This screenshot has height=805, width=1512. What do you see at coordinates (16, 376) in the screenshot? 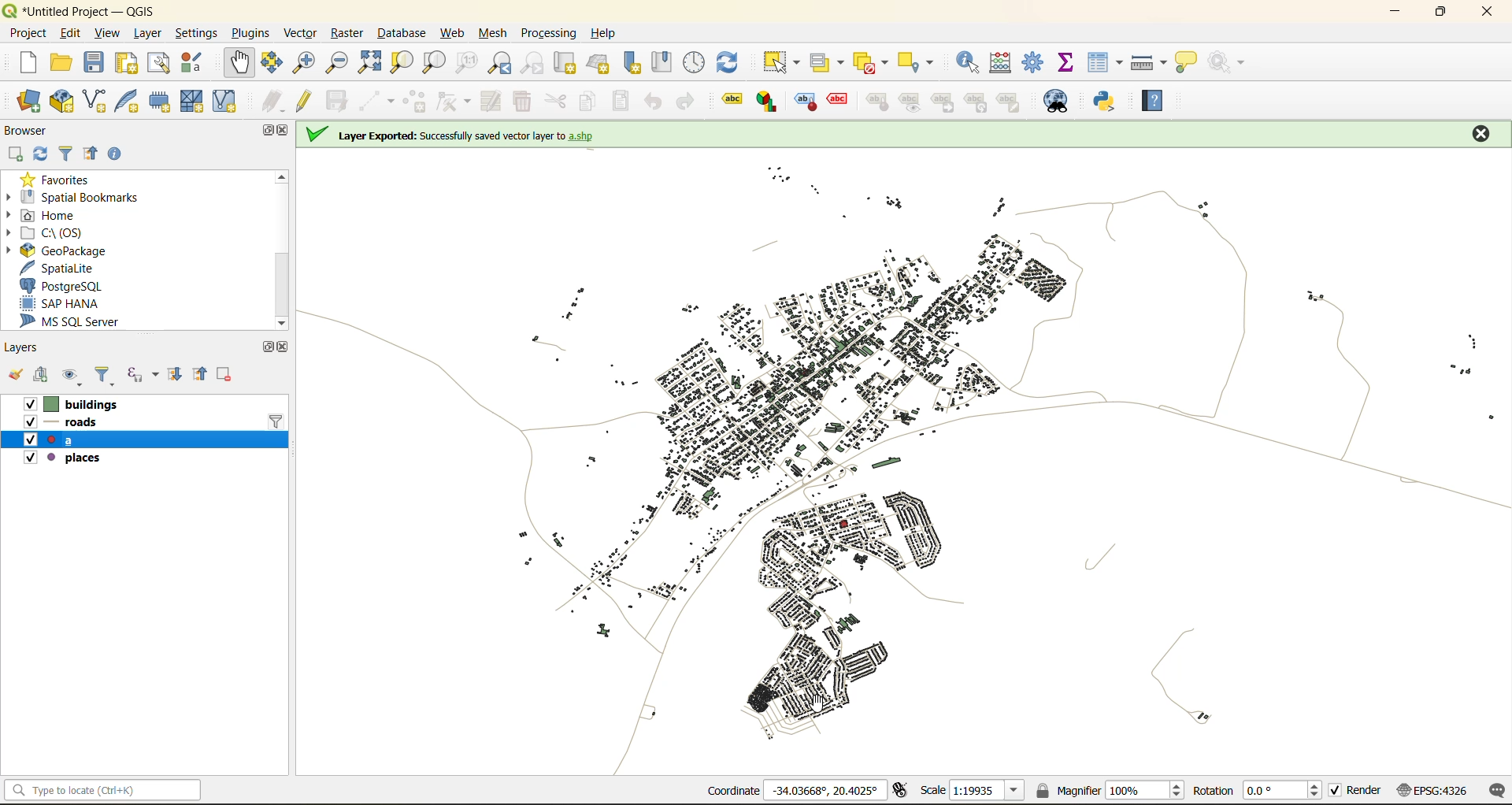
I see `open` at bounding box center [16, 376].